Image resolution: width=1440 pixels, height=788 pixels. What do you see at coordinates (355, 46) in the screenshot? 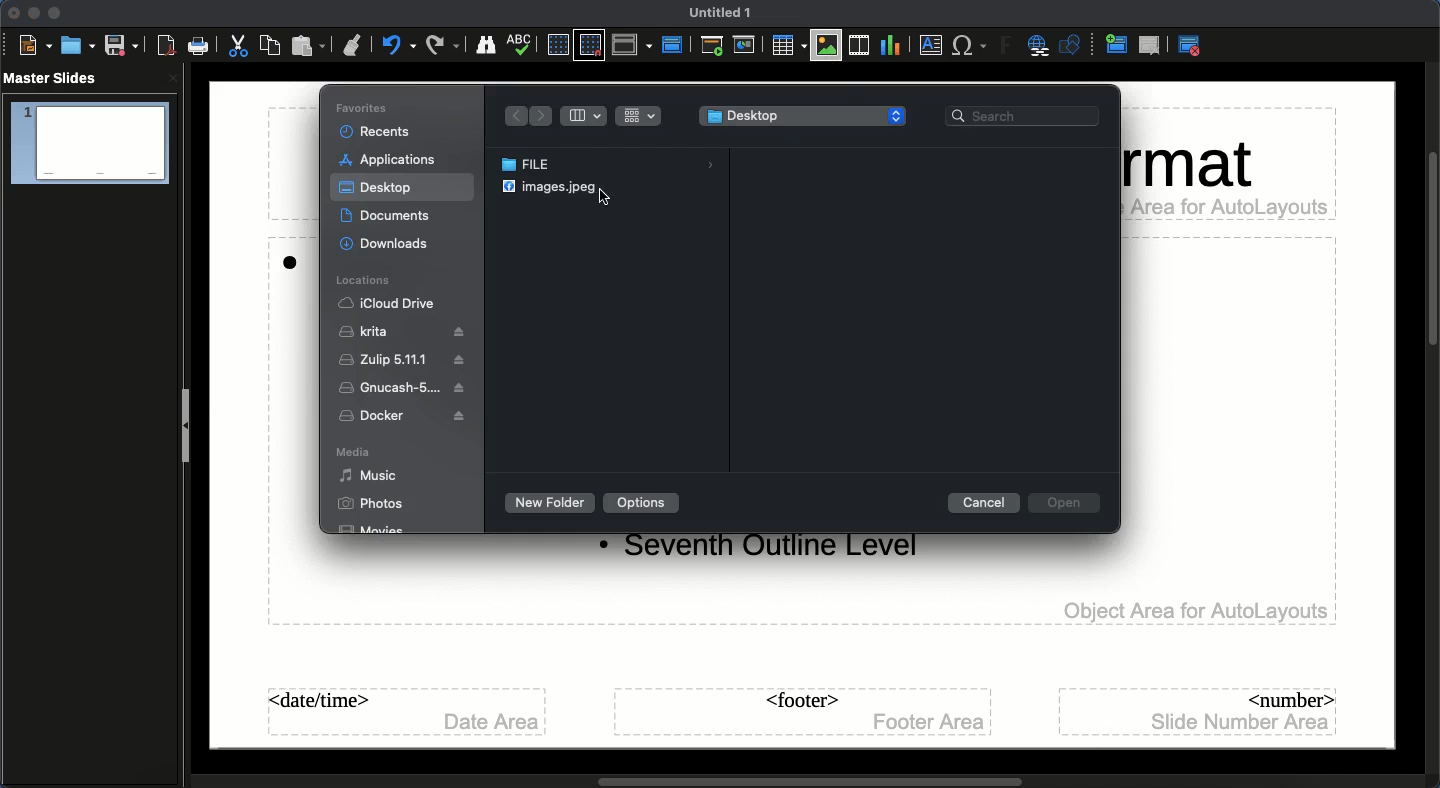
I see `Clone formatting` at bounding box center [355, 46].